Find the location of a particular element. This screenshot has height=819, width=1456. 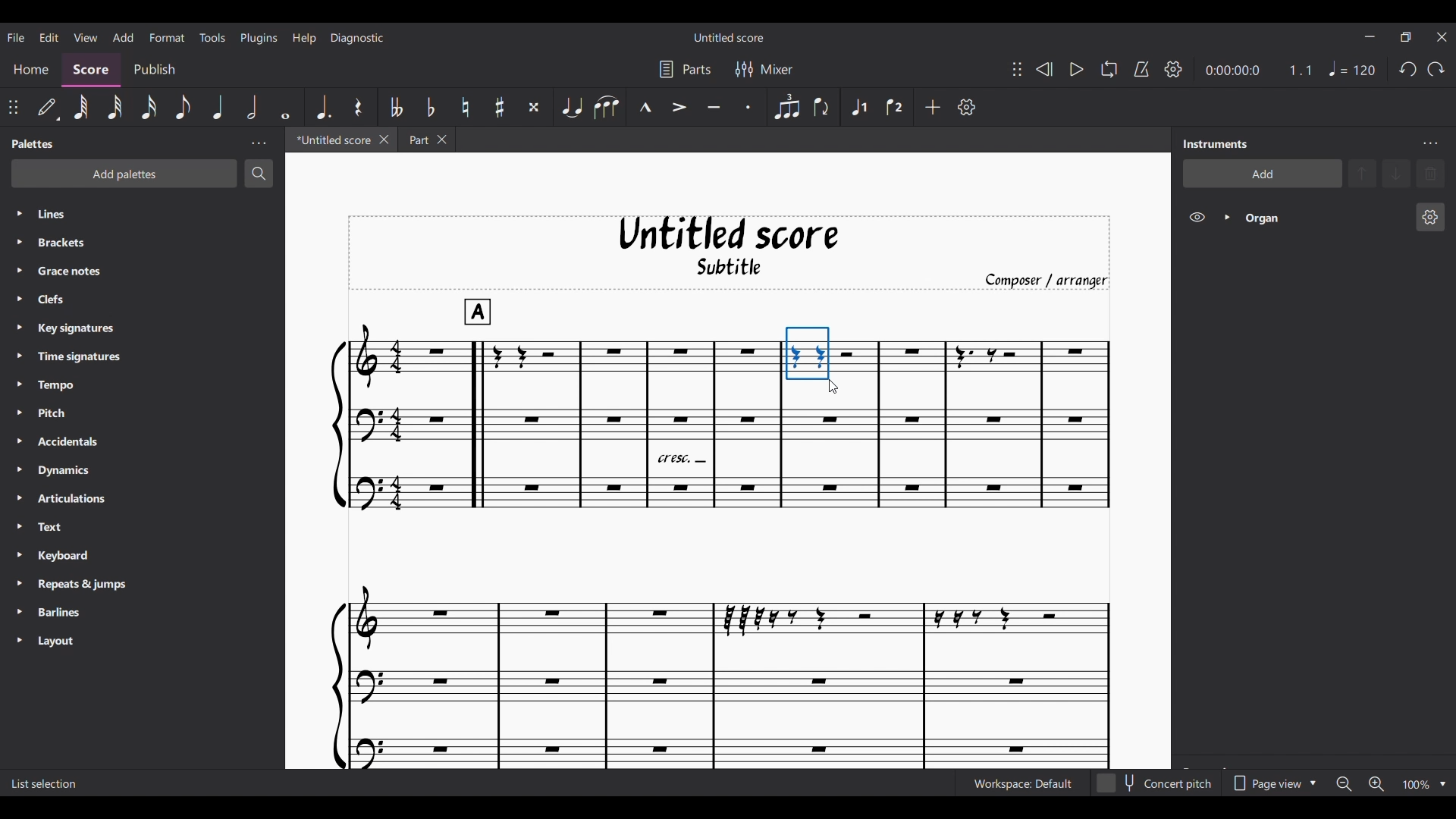

Score title, sub-title, and composer name is located at coordinates (730, 253).